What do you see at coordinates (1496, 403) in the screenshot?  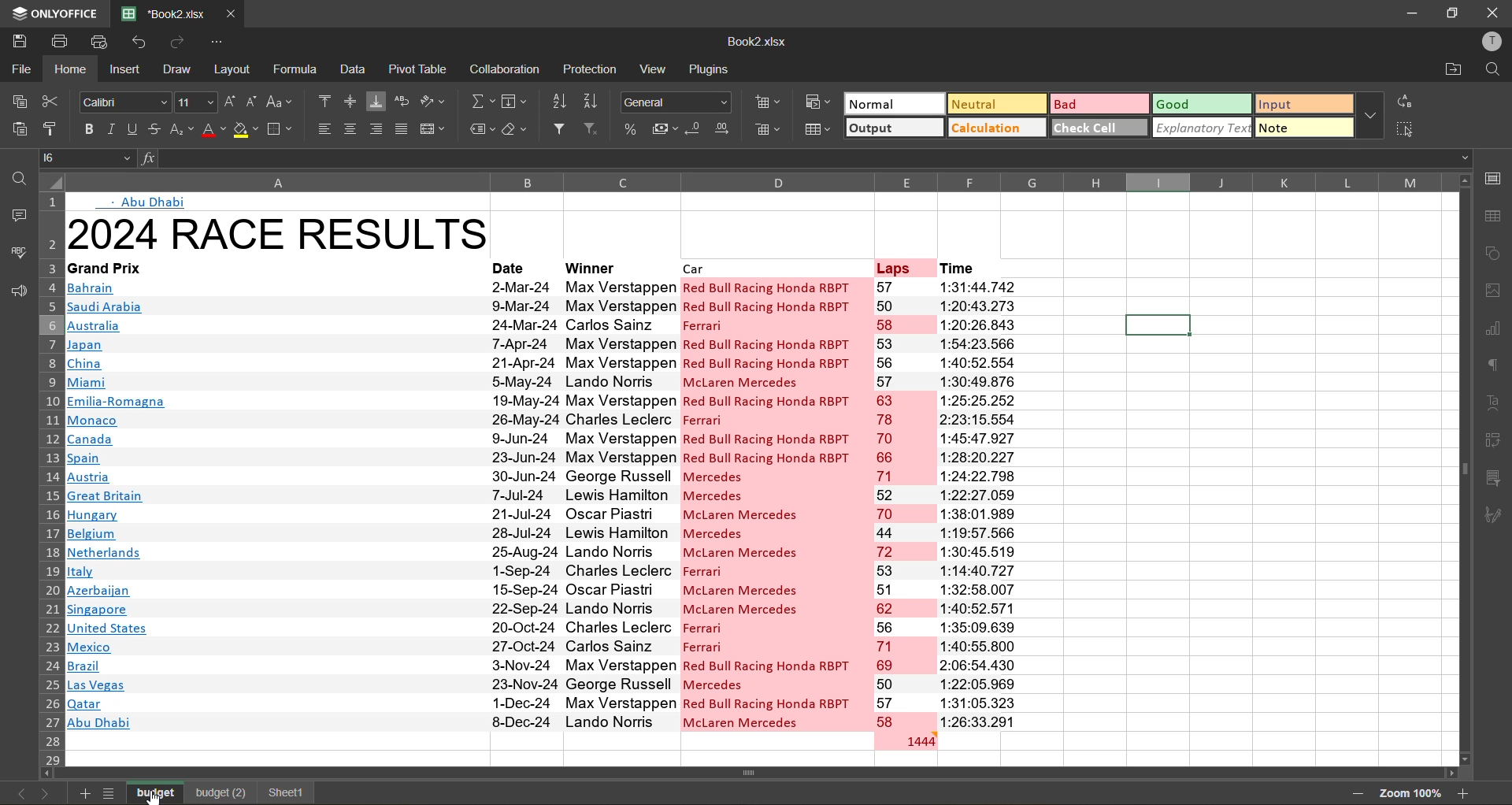 I see `text` at bounding box center [1496, 403].